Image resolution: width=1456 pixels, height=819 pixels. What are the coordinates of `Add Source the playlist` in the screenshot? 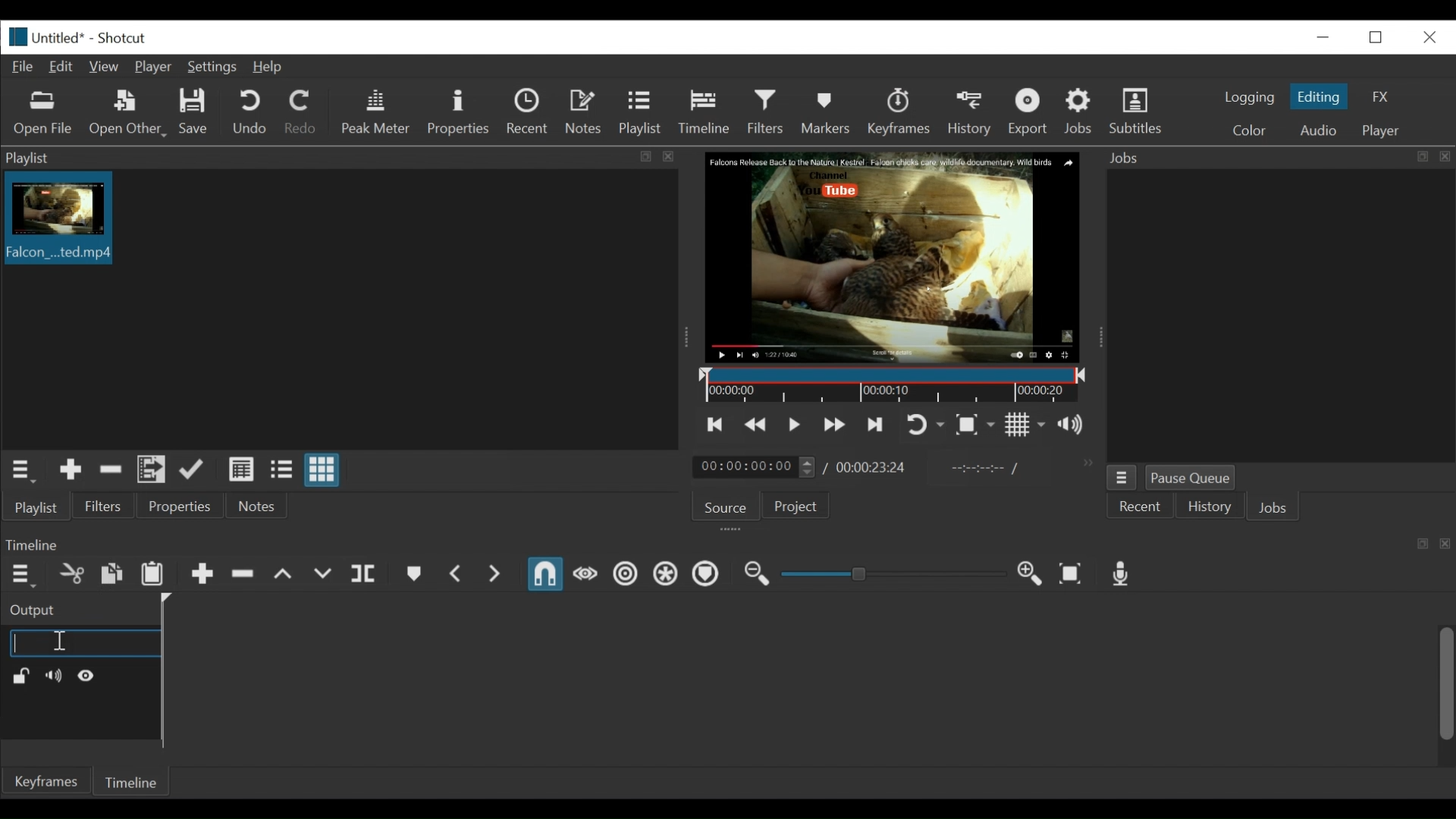 It's located at (70, 471).